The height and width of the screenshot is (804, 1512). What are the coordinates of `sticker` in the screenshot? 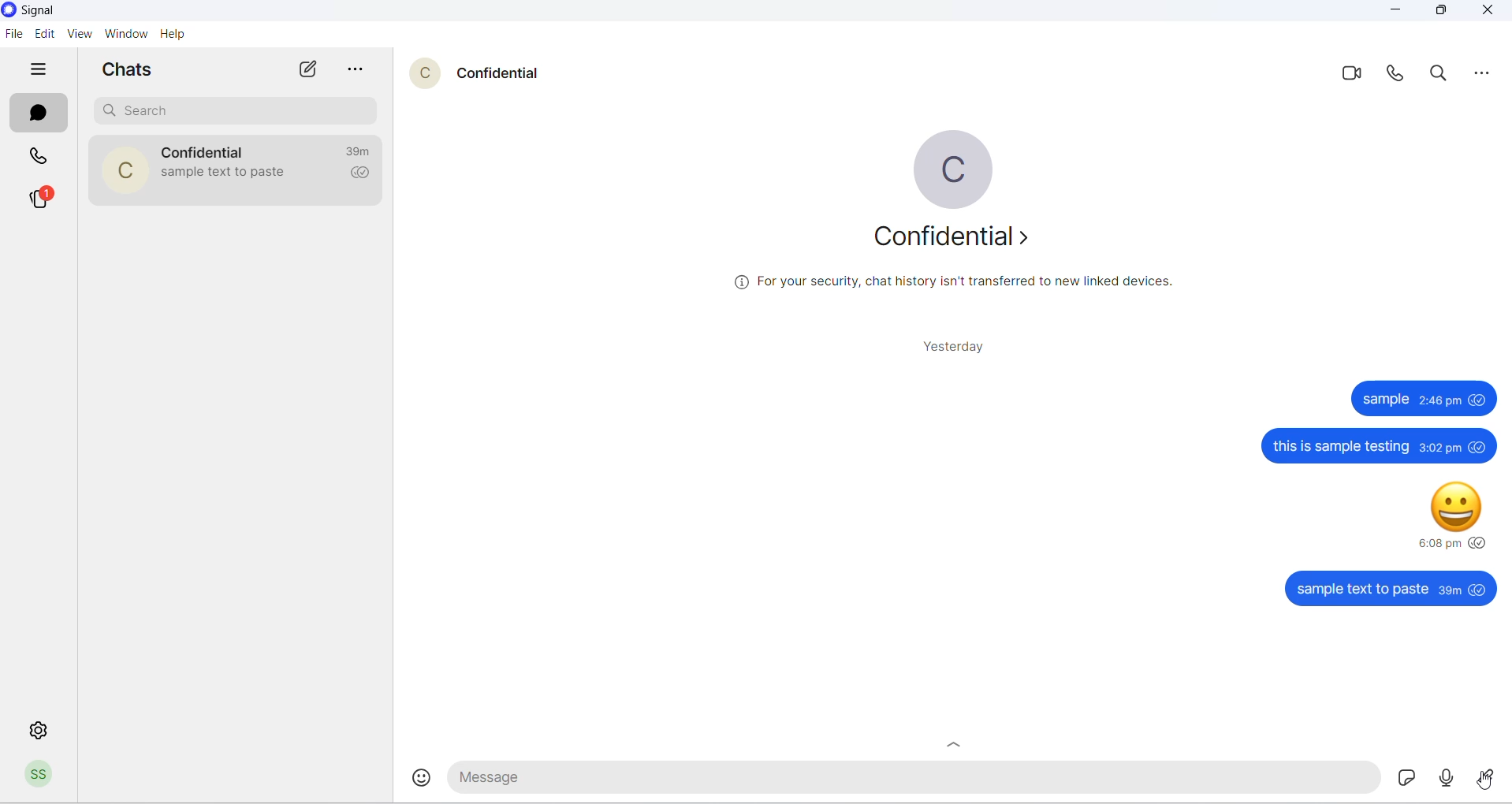 It's located at (1399, 777).